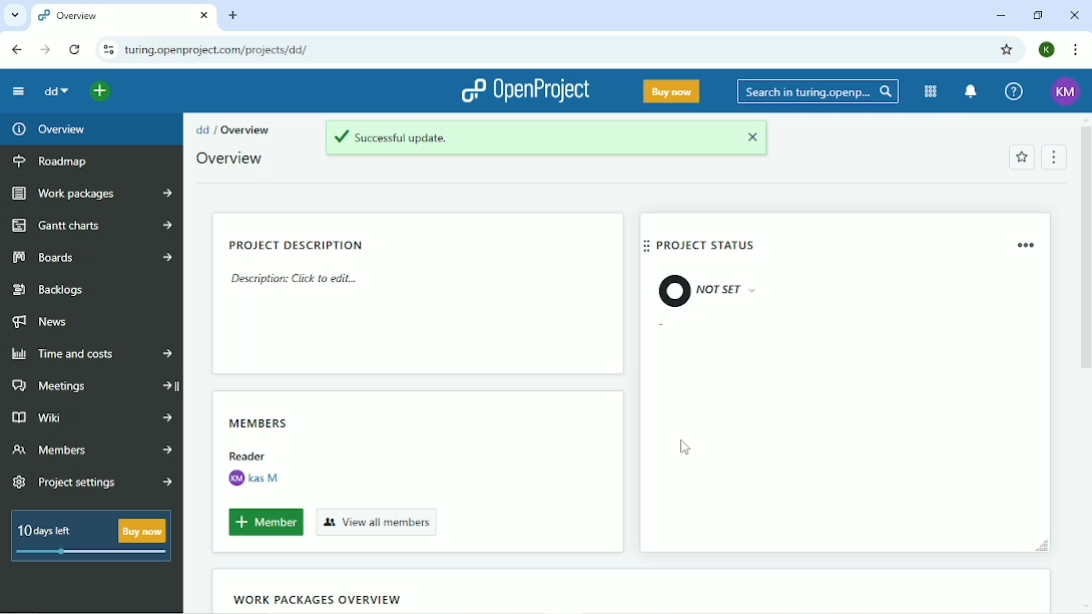  Describe the element at coordinates (91, 225) in the screenshot. I see `Gantt charts` at that location.